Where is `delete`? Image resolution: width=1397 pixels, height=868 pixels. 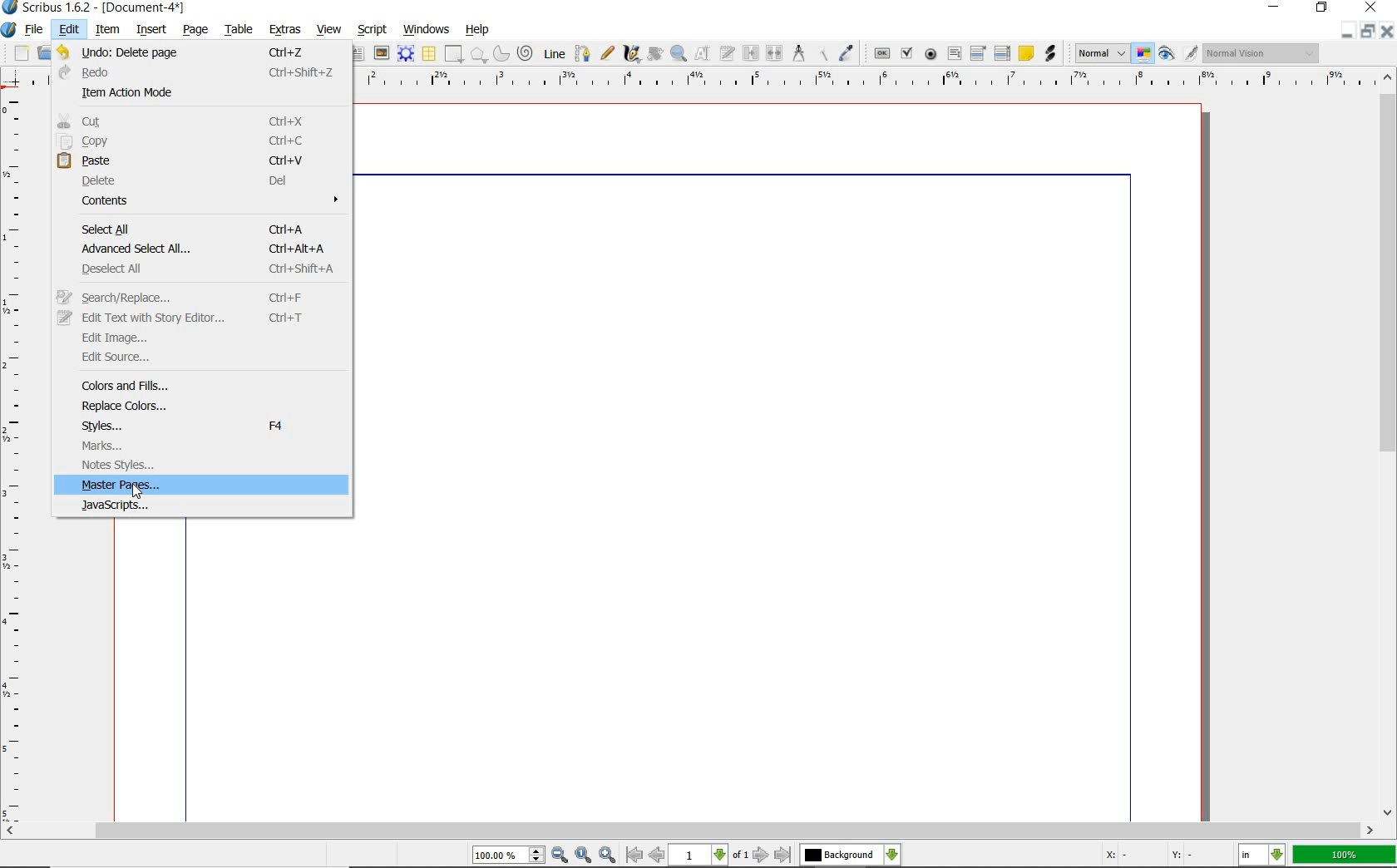 delete is located at coordinates (217, 181).